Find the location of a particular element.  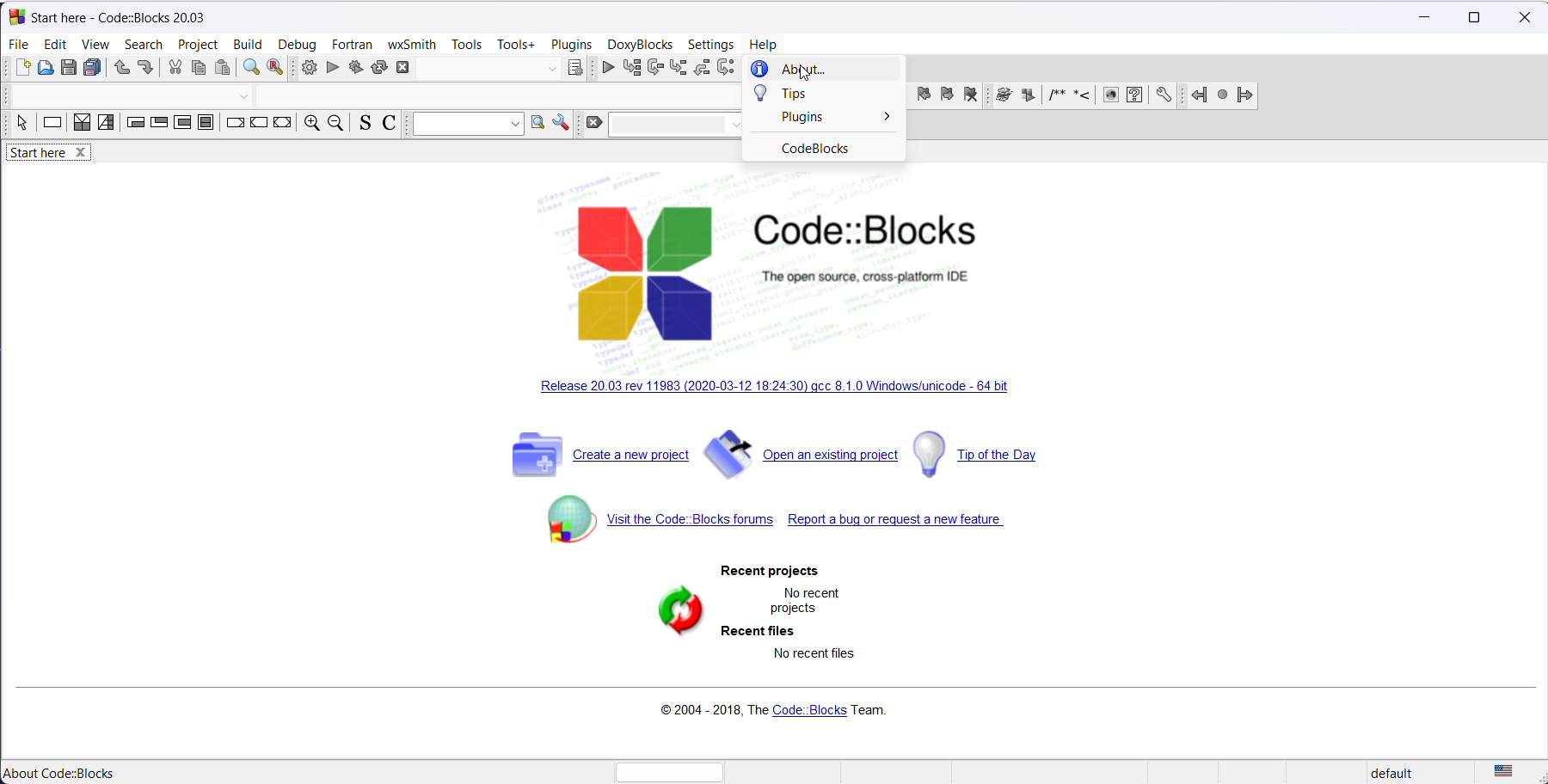

cut is located at coordinates (173, 68).